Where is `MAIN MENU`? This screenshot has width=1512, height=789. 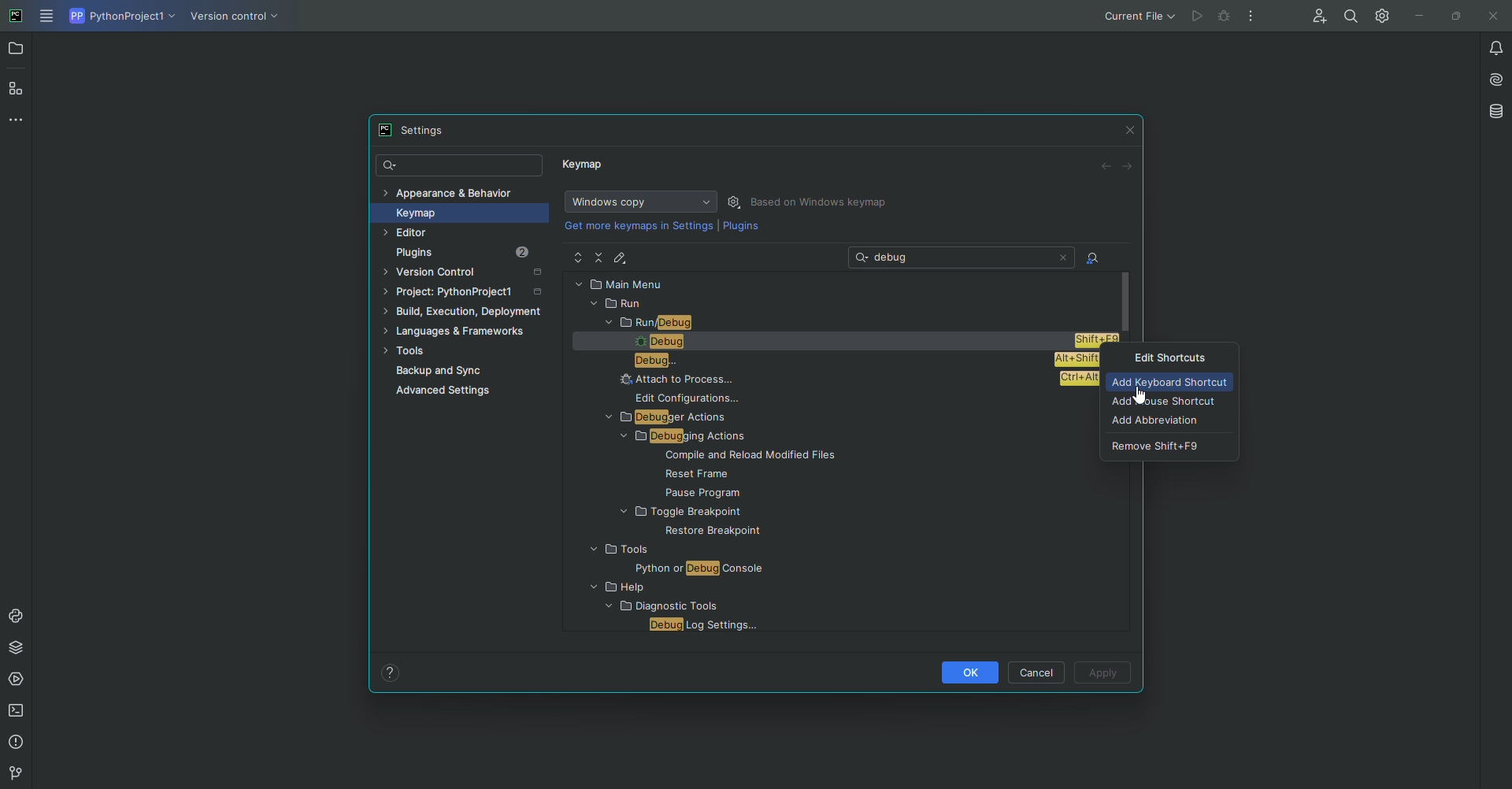
MAIN MENU is located at coordinates (843, 283).